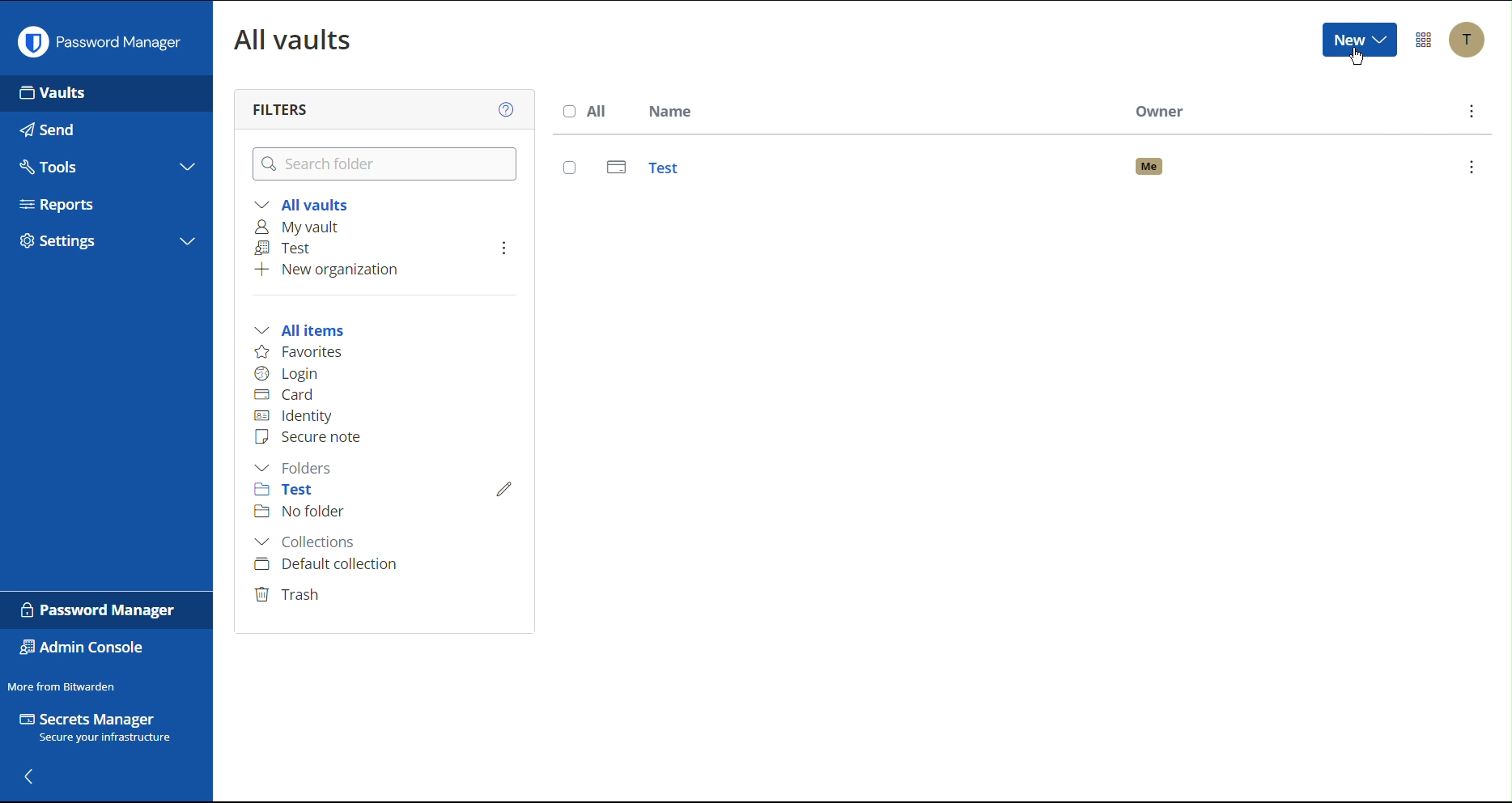 Image resolution: width=1512 pixels, height=803 pixels. Describe the element at coordinates (105, 164) in the screenshot. I see `Tools` at that location.